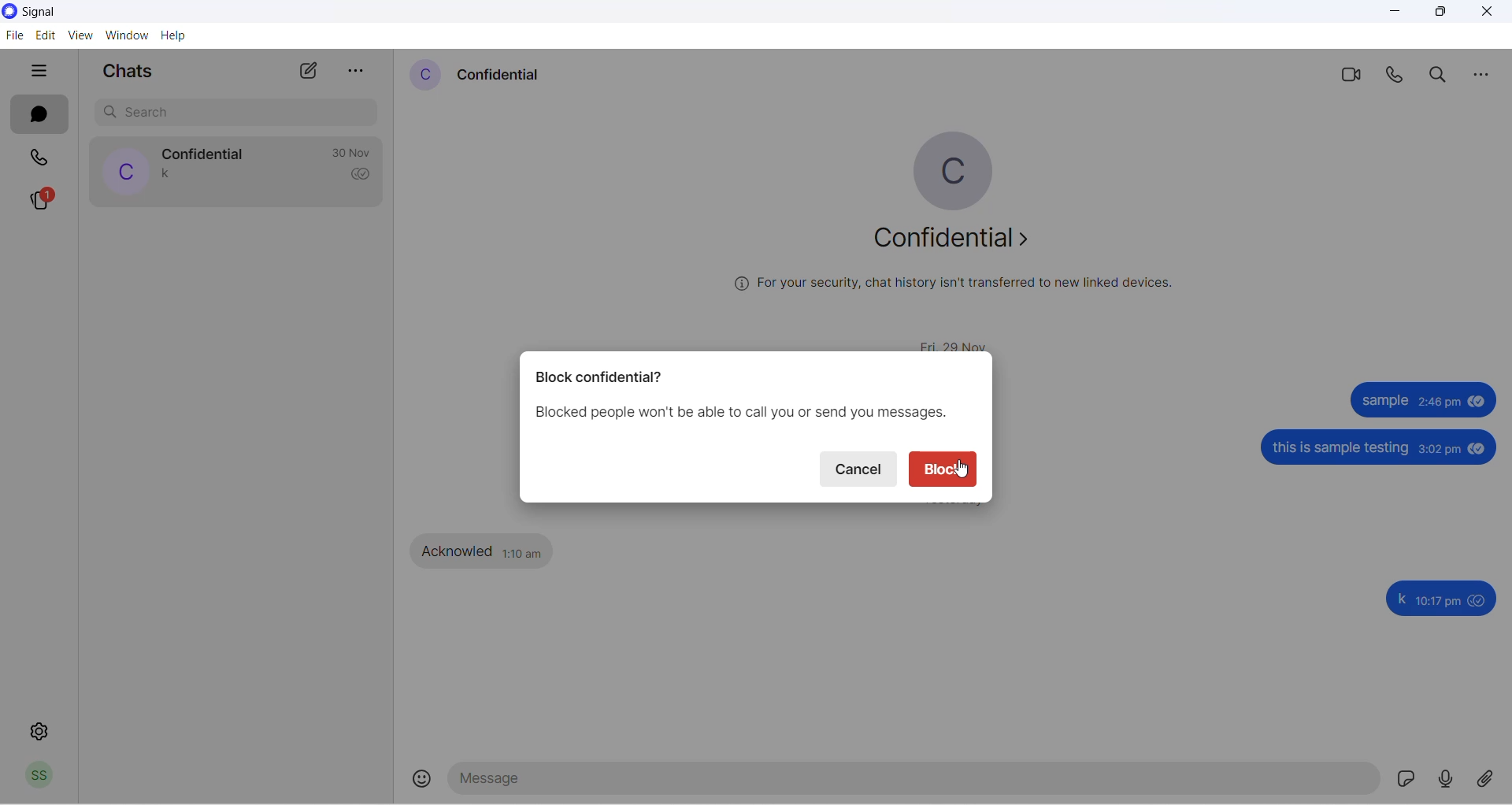 The width and height of the screenshot is (1512, 805). I want to click on last message time, so click(347, 152).